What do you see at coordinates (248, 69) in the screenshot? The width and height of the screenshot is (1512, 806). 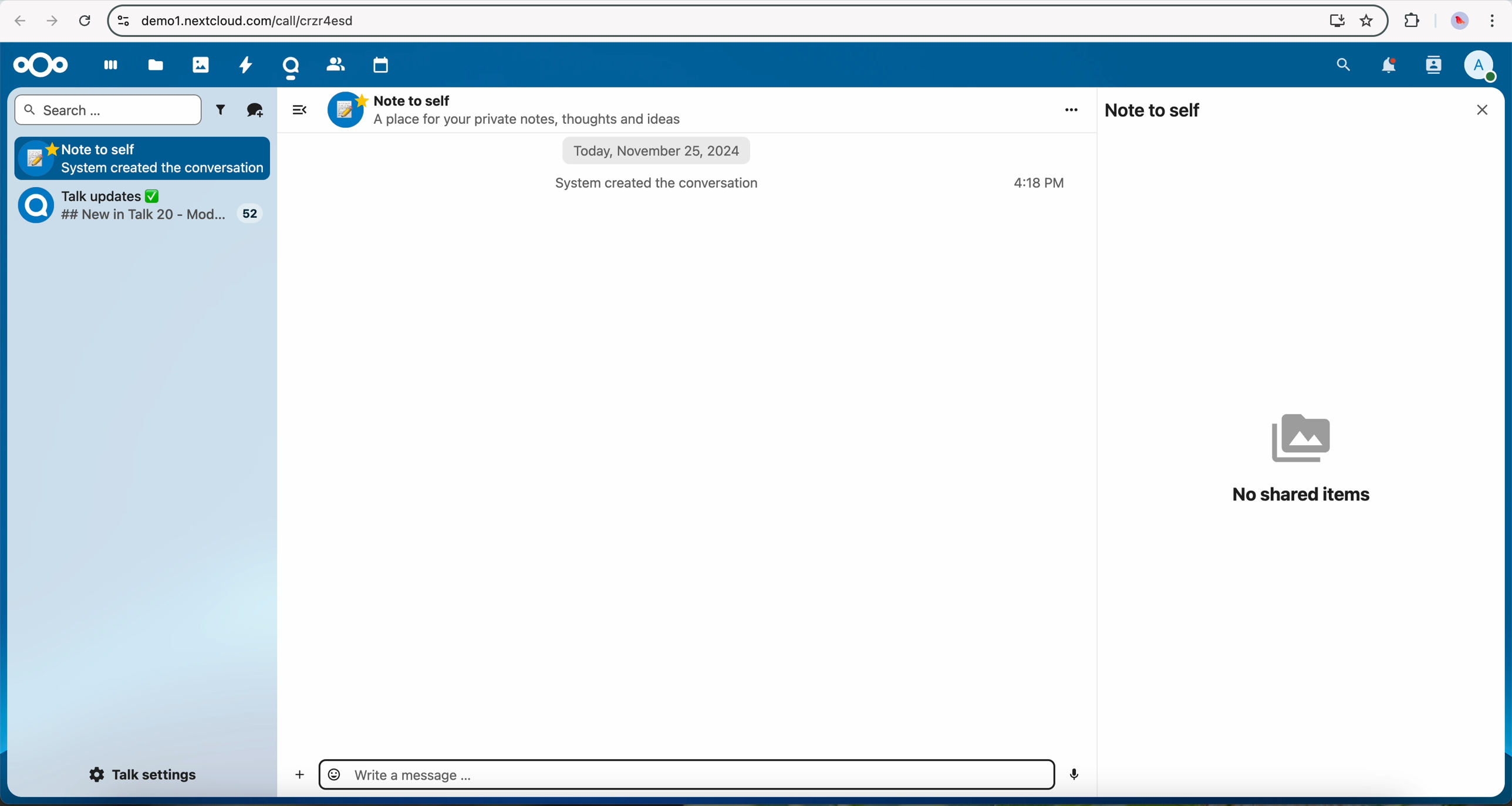 I see `activity` at bounding box center [248, 69].